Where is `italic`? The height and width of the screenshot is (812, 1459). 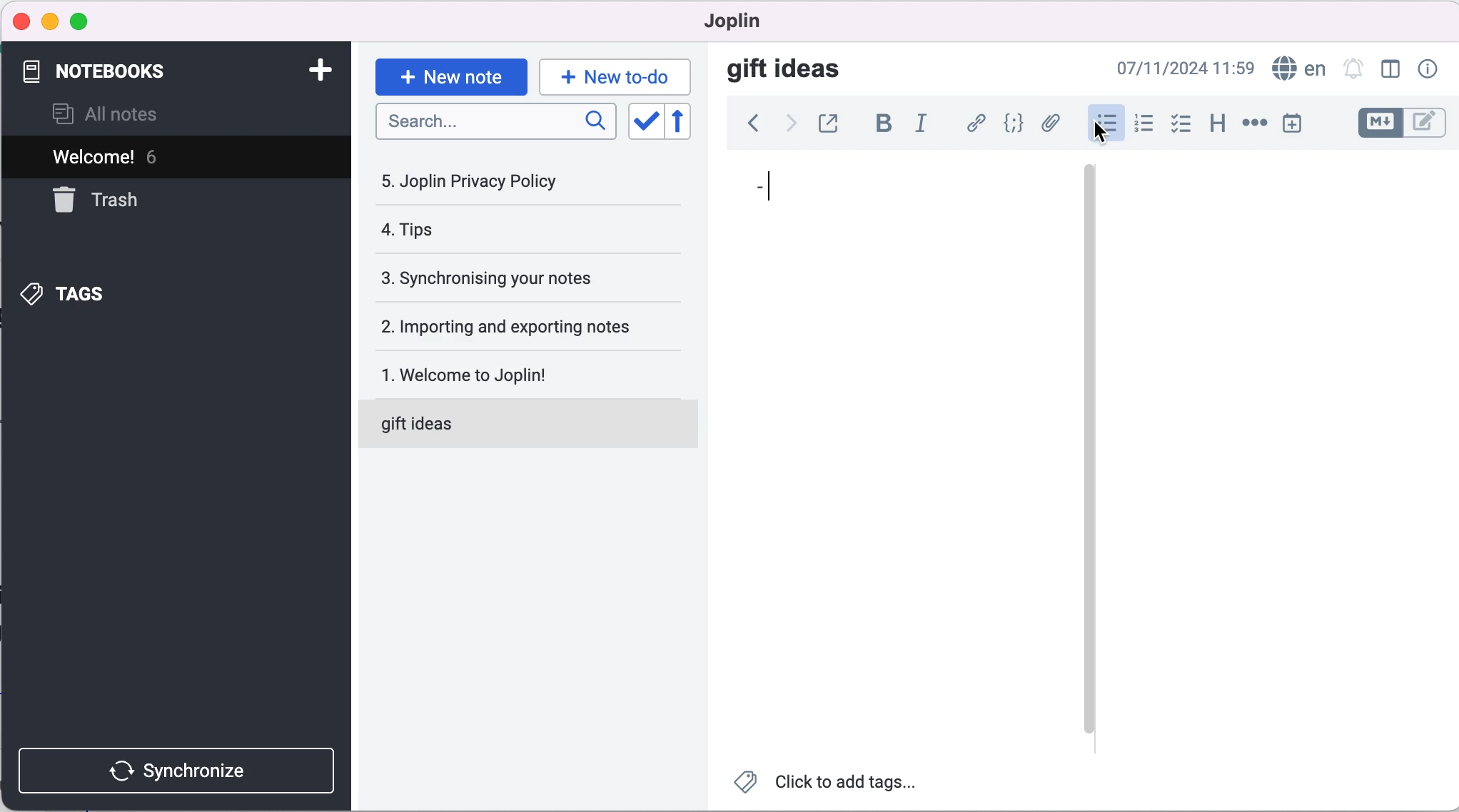 italic is located at coordinates (921, 125).